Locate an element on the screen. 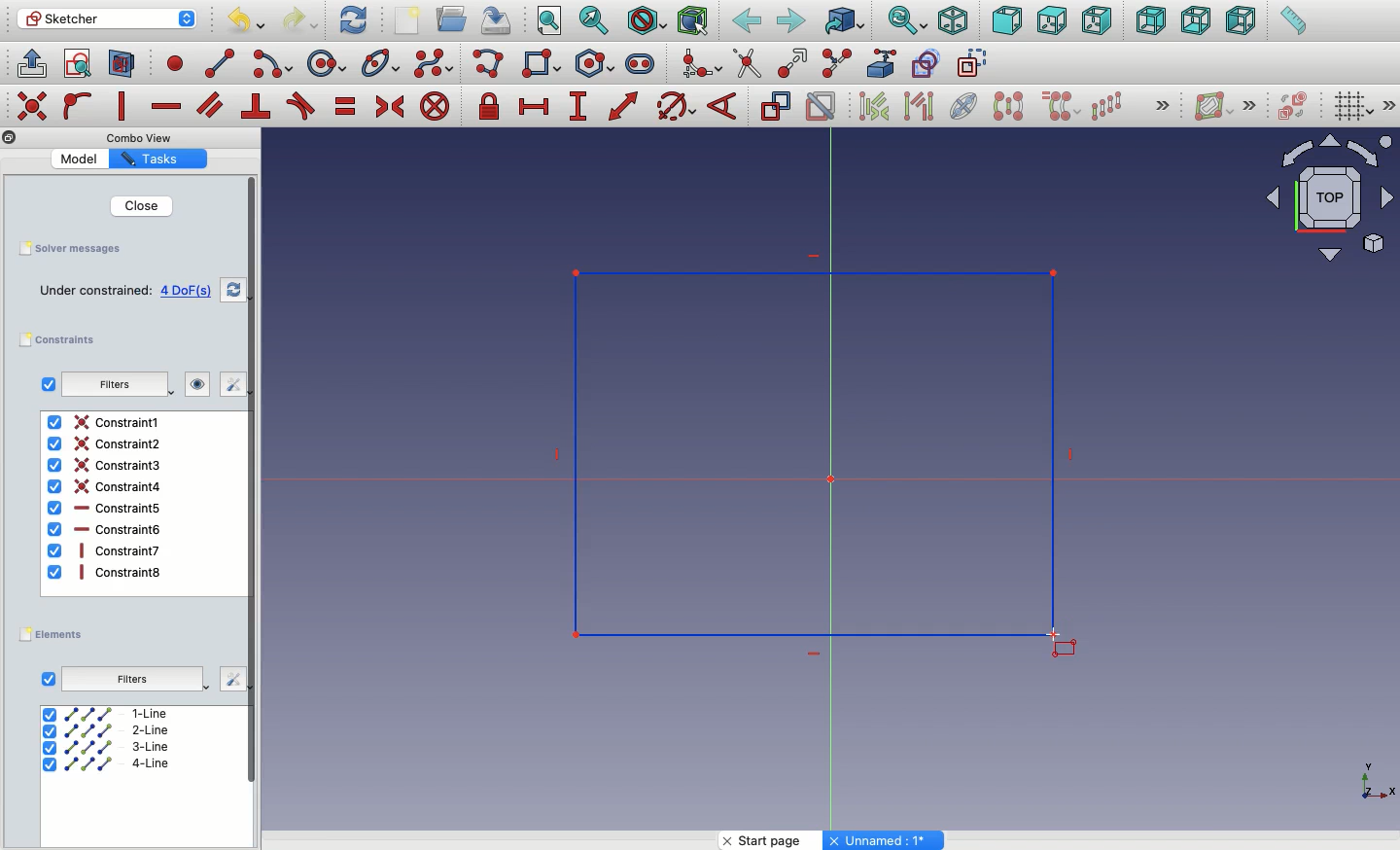  Create B-spline is located at coordinates (434, 62).